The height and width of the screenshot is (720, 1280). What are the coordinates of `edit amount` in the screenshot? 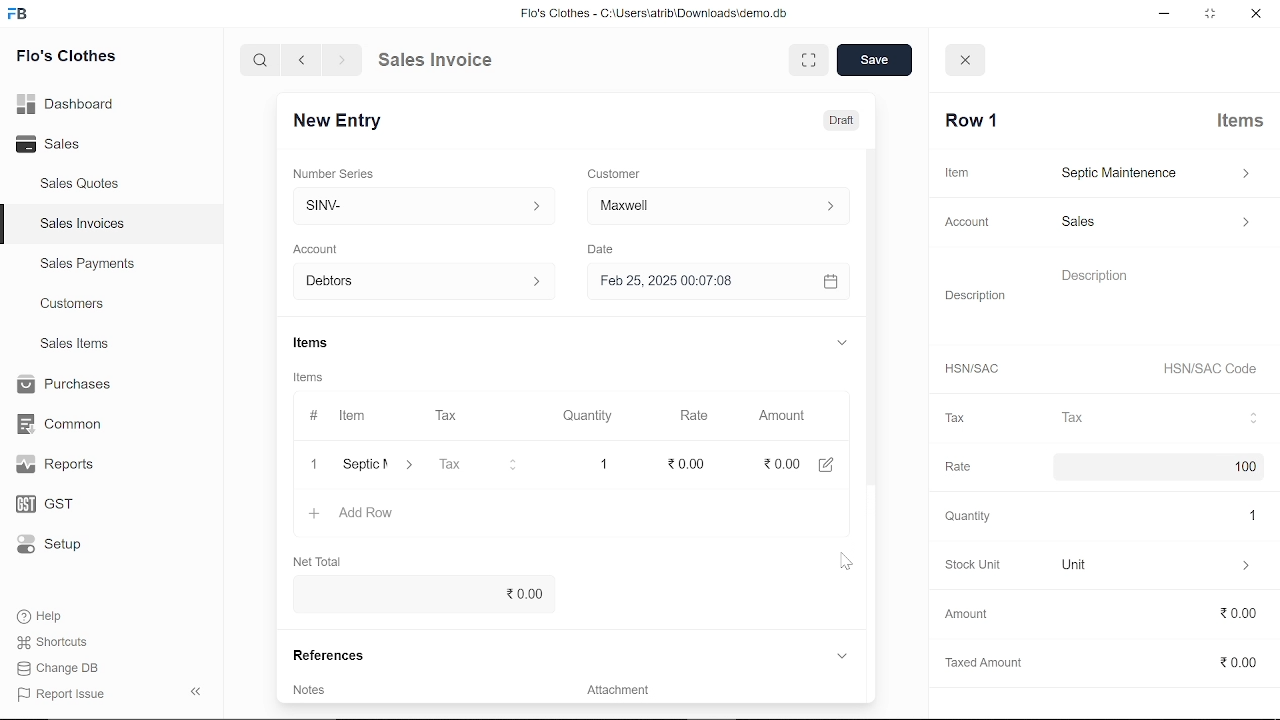 It's located at (826, 465).